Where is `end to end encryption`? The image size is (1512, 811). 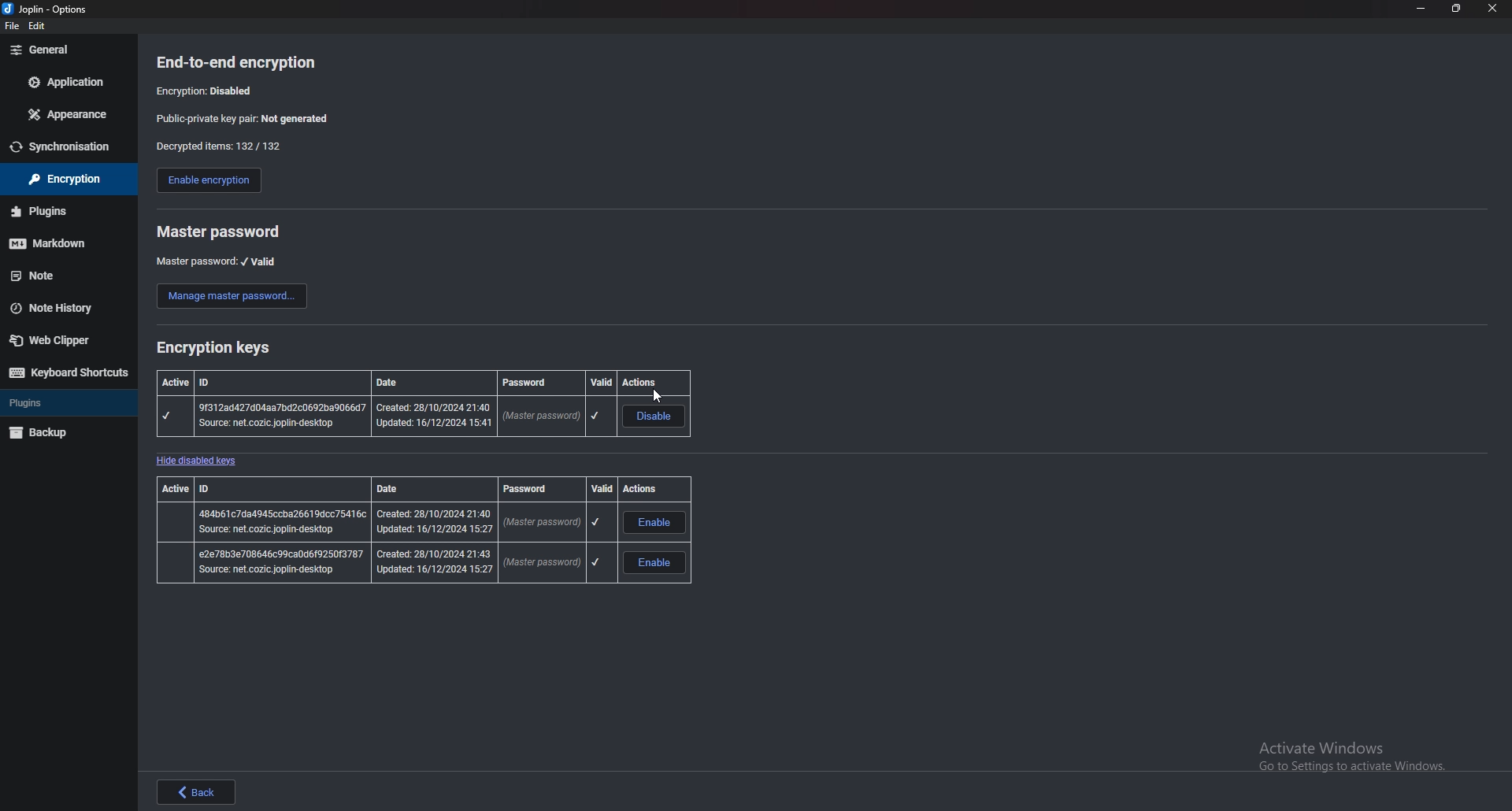 end to end encryption is located at coordinates (243, 61).